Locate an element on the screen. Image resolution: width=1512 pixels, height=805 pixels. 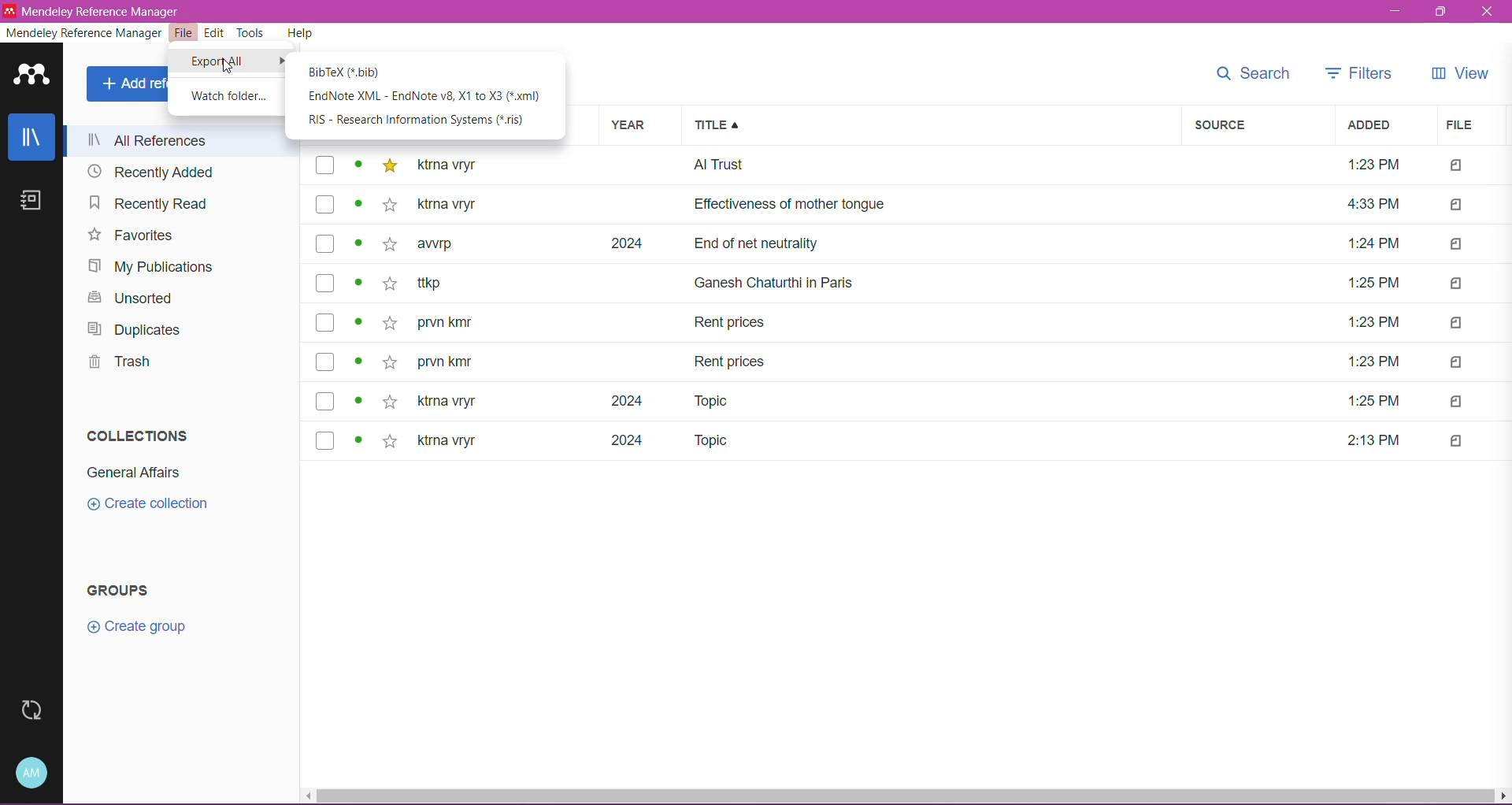
All References is located at coordinates (182, 141).